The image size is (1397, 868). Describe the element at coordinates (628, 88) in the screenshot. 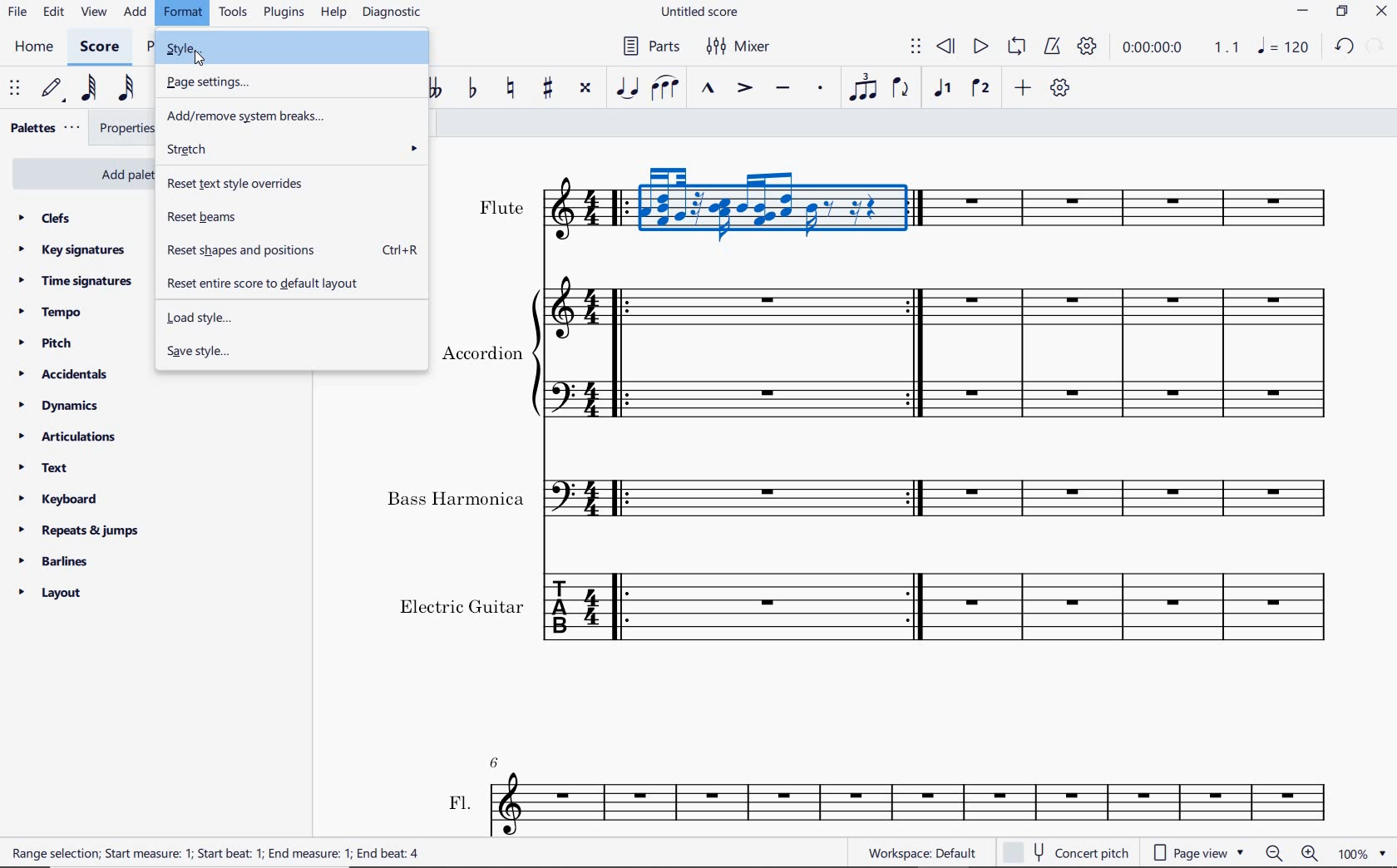

I see `tie` at that location.